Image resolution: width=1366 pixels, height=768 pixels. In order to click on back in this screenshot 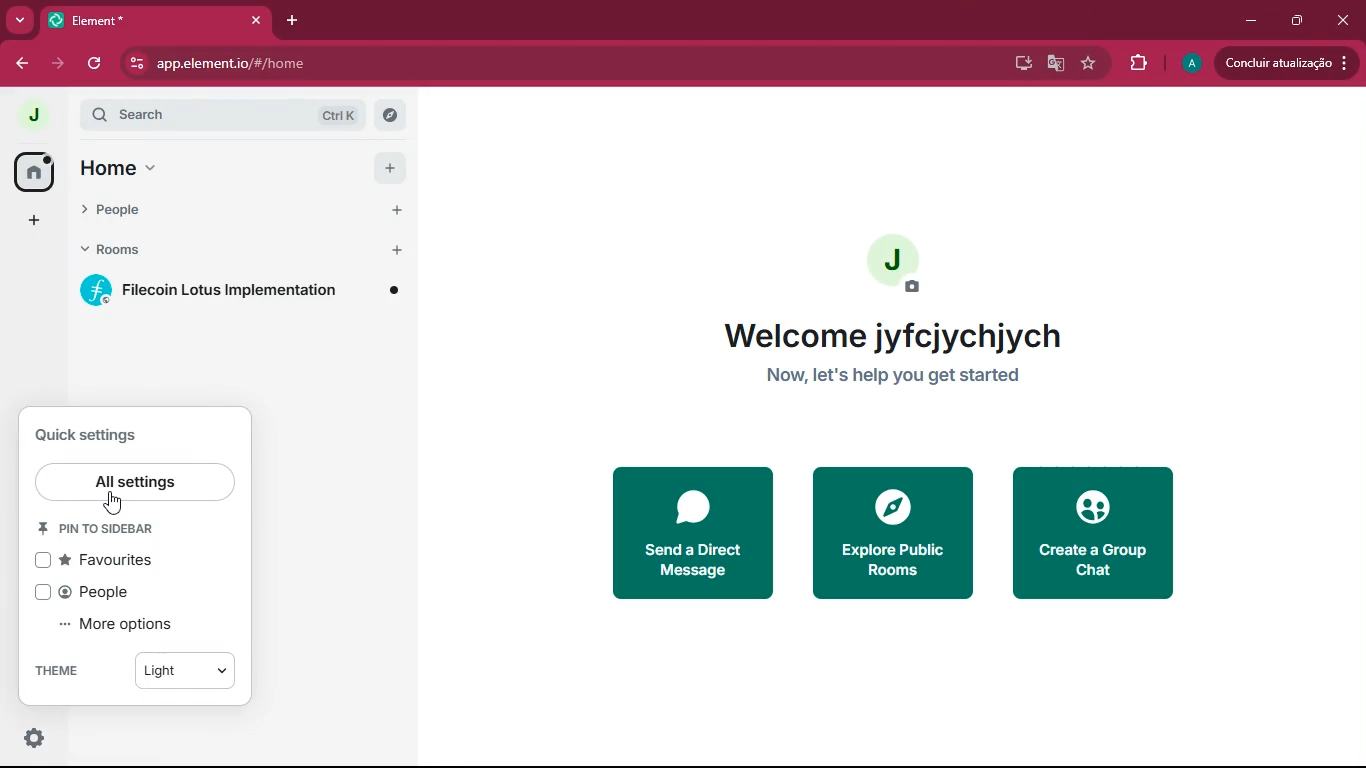, I will do `click(20, 63)`.